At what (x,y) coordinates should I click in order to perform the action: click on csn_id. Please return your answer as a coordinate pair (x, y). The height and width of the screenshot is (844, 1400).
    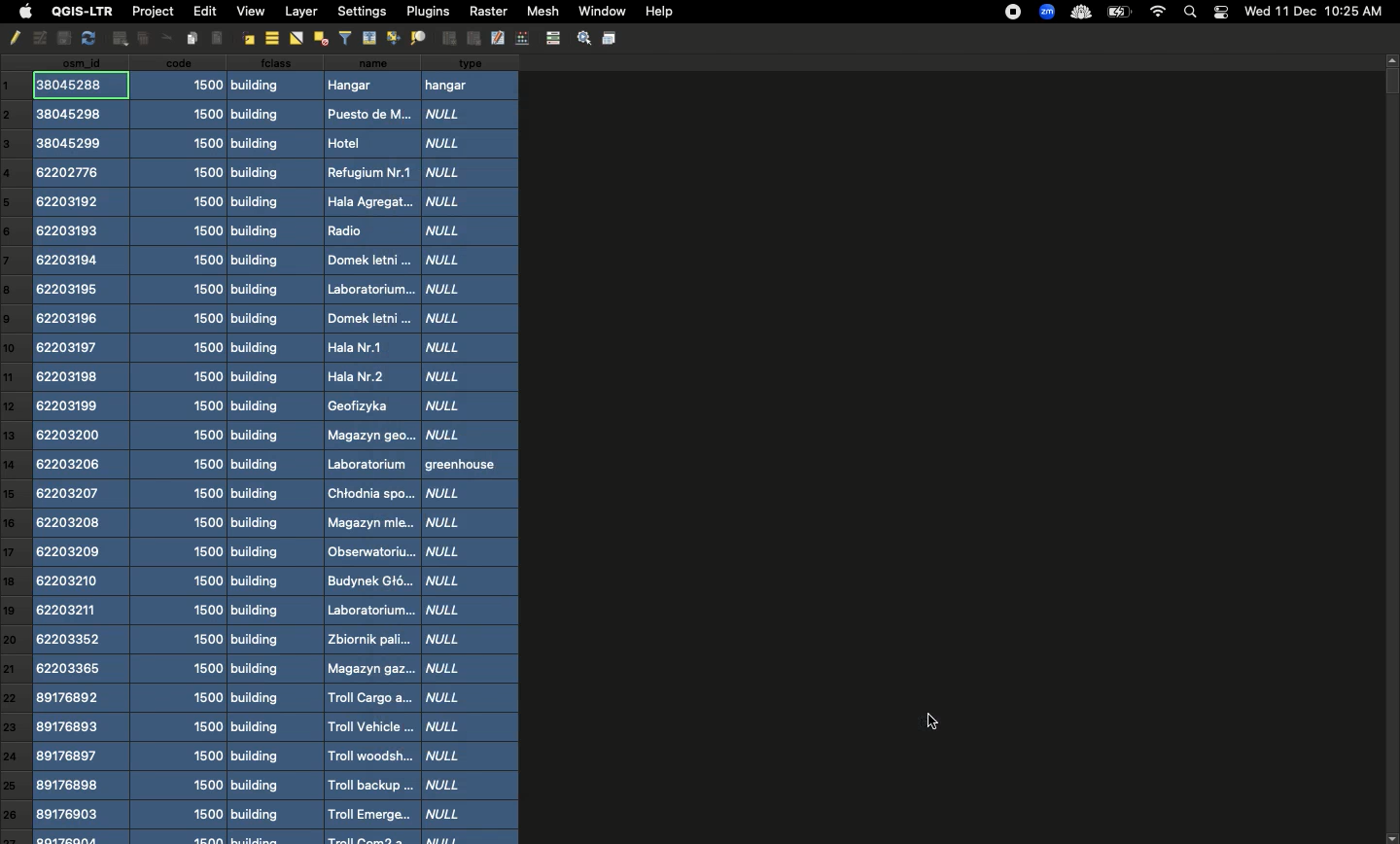
    Looking at the image, I should click on (82, 450).